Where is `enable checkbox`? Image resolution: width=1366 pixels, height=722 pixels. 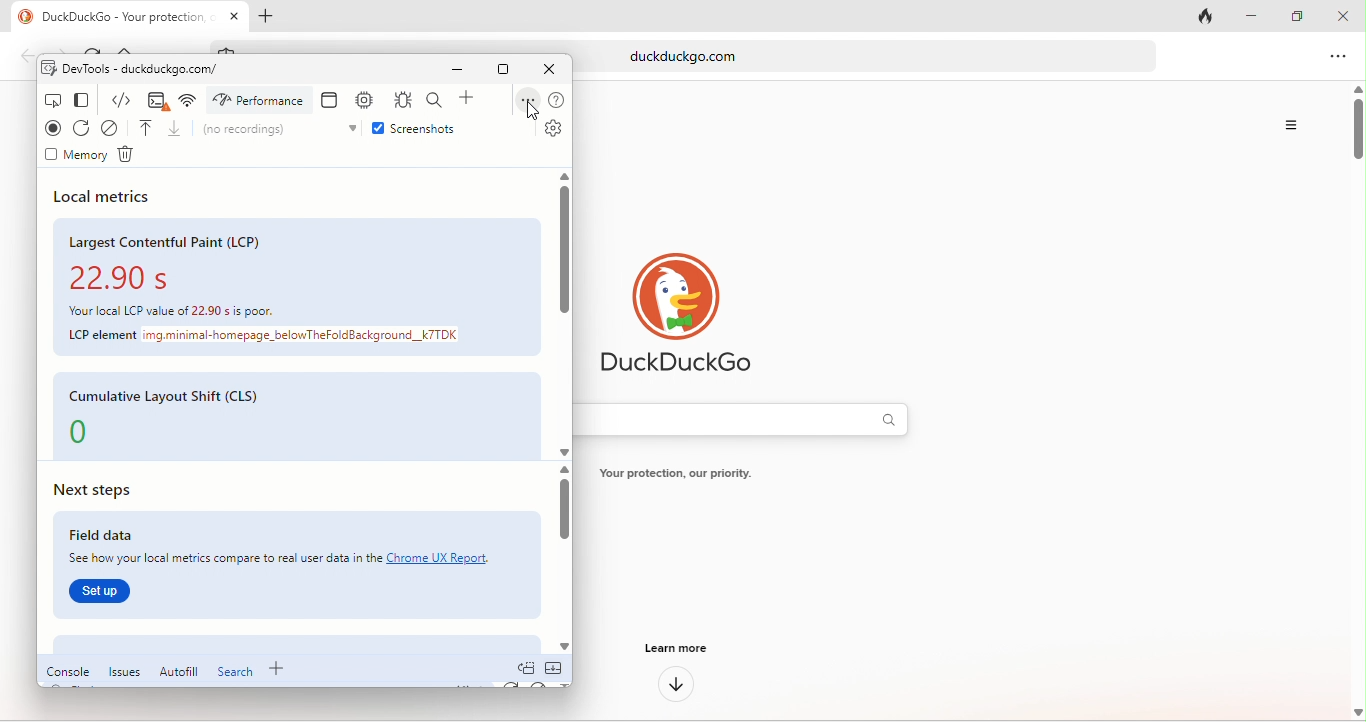
enable checkbox is located at coordinates (378, 128).